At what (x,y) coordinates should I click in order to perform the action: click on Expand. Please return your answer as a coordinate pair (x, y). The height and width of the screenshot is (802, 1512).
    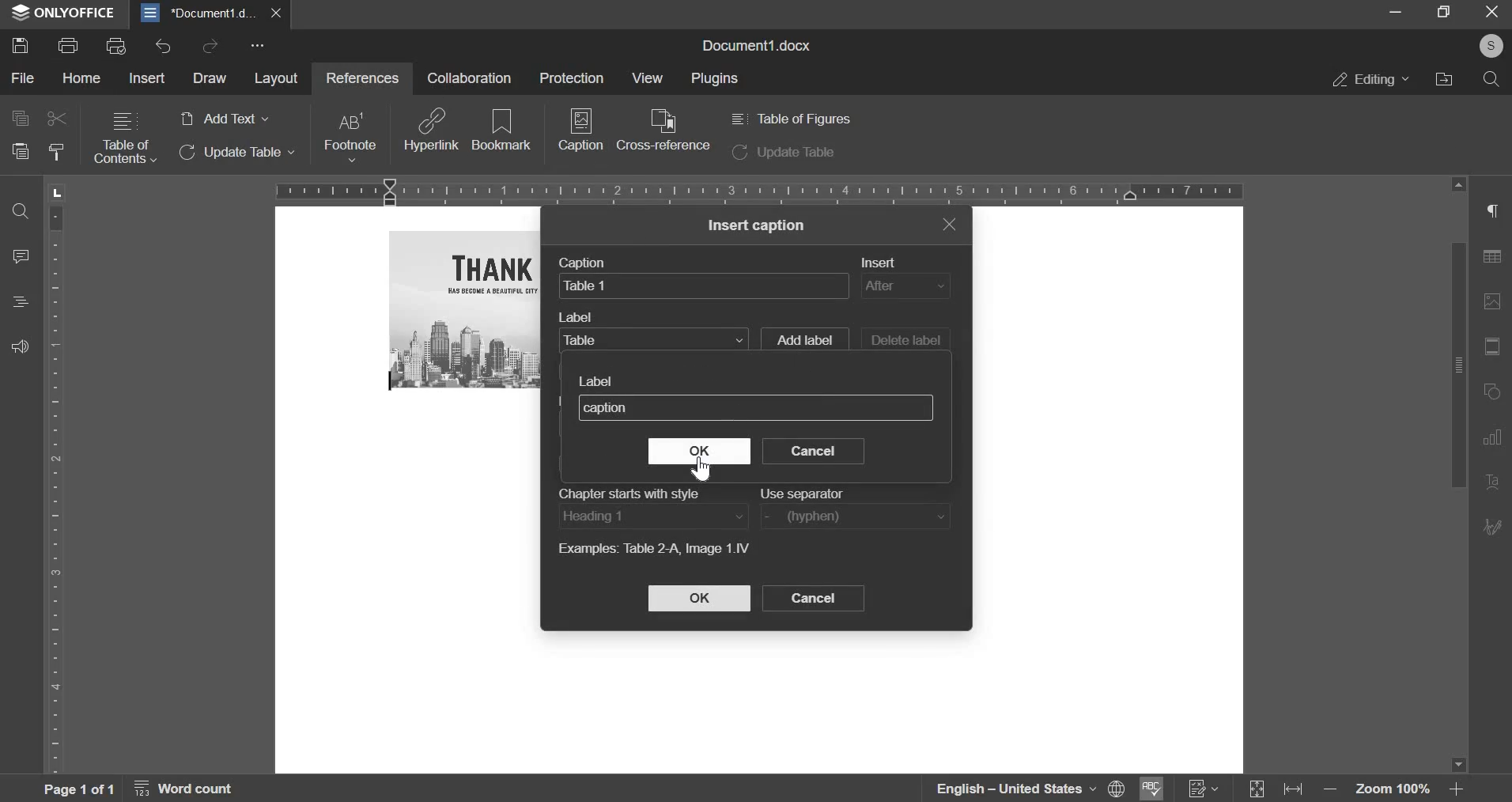
    Looking at the image, I should click on (1258, 790).